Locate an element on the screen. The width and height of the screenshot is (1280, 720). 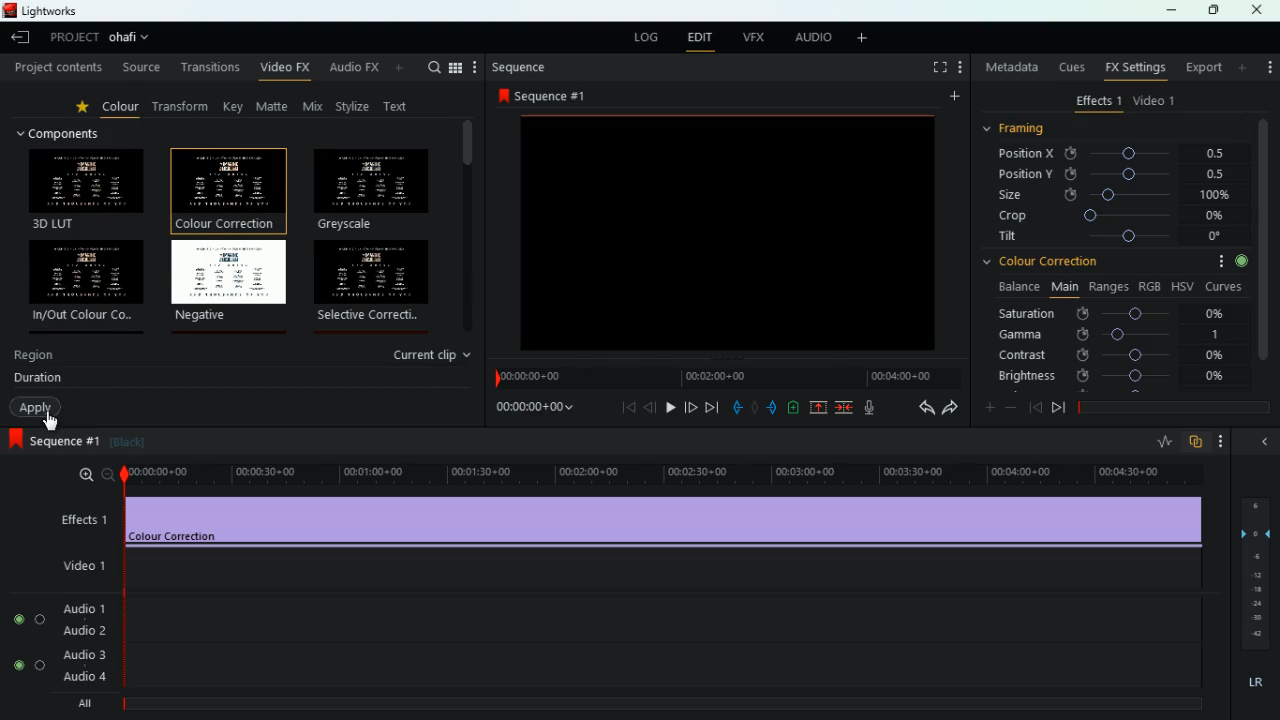
effect is located at coordinates (666, 522).